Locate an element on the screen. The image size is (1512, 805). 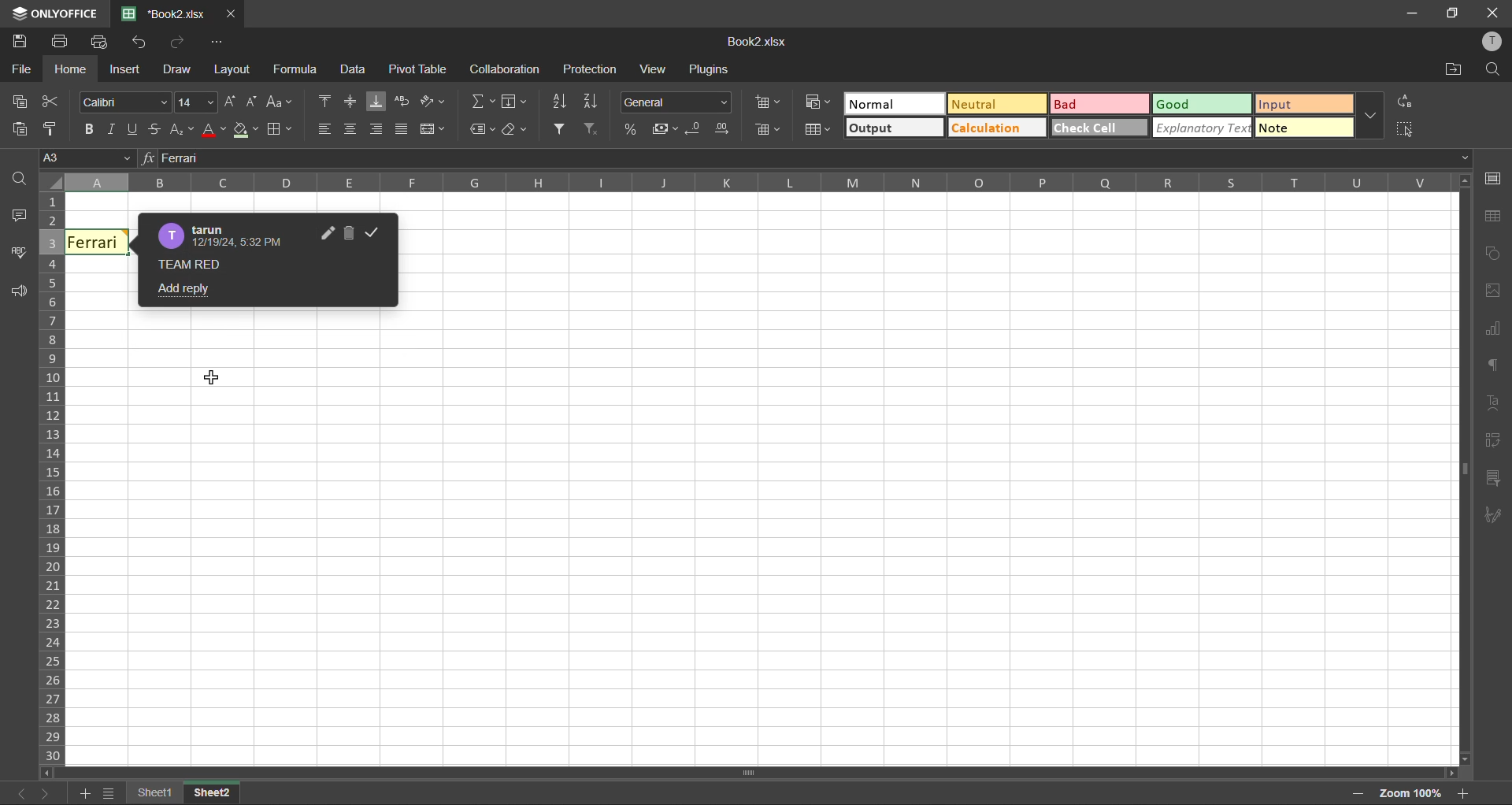
sheet list is located at coordinates (107, 794).